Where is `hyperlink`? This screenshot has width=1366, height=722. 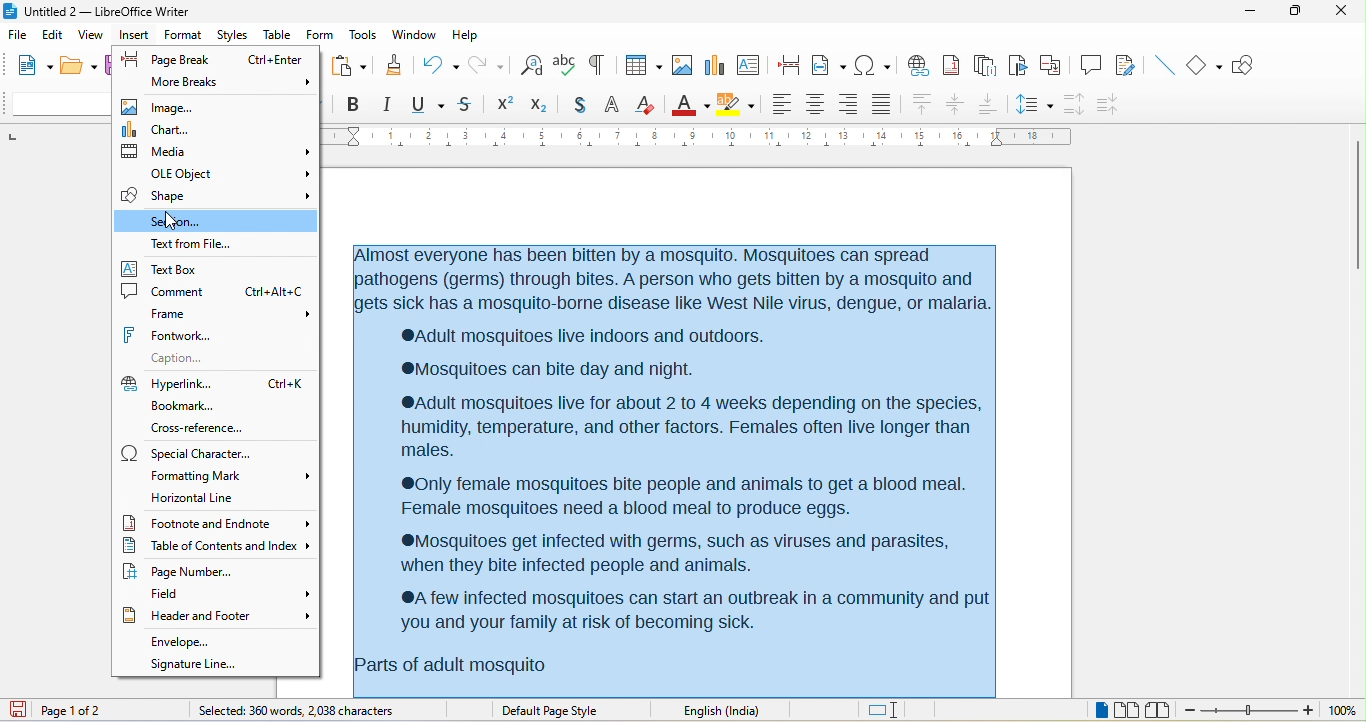
hyperlink is located at coordinates (919, 66).